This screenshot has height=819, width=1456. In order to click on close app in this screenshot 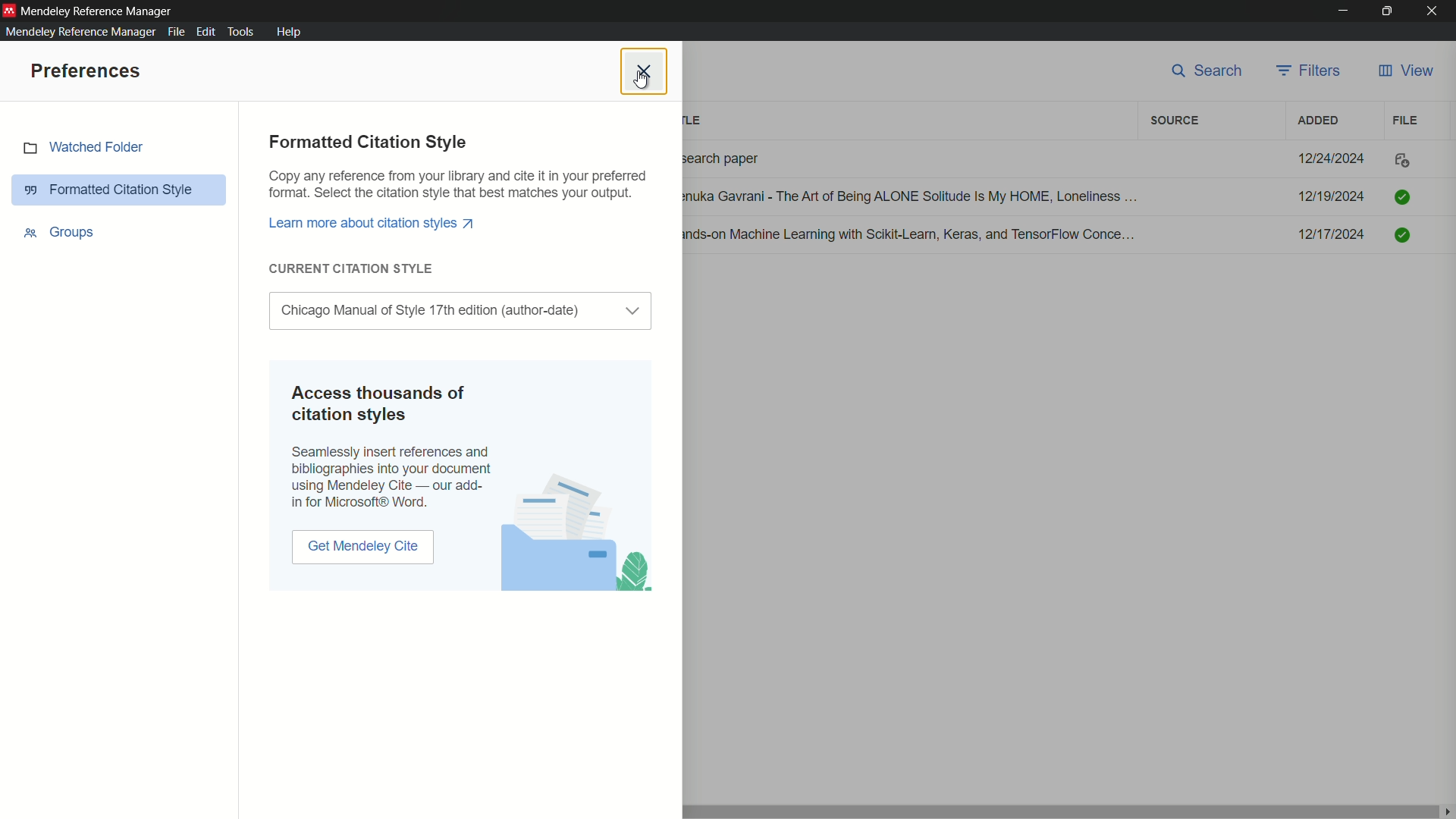, I will do `click(1436, 11)`.